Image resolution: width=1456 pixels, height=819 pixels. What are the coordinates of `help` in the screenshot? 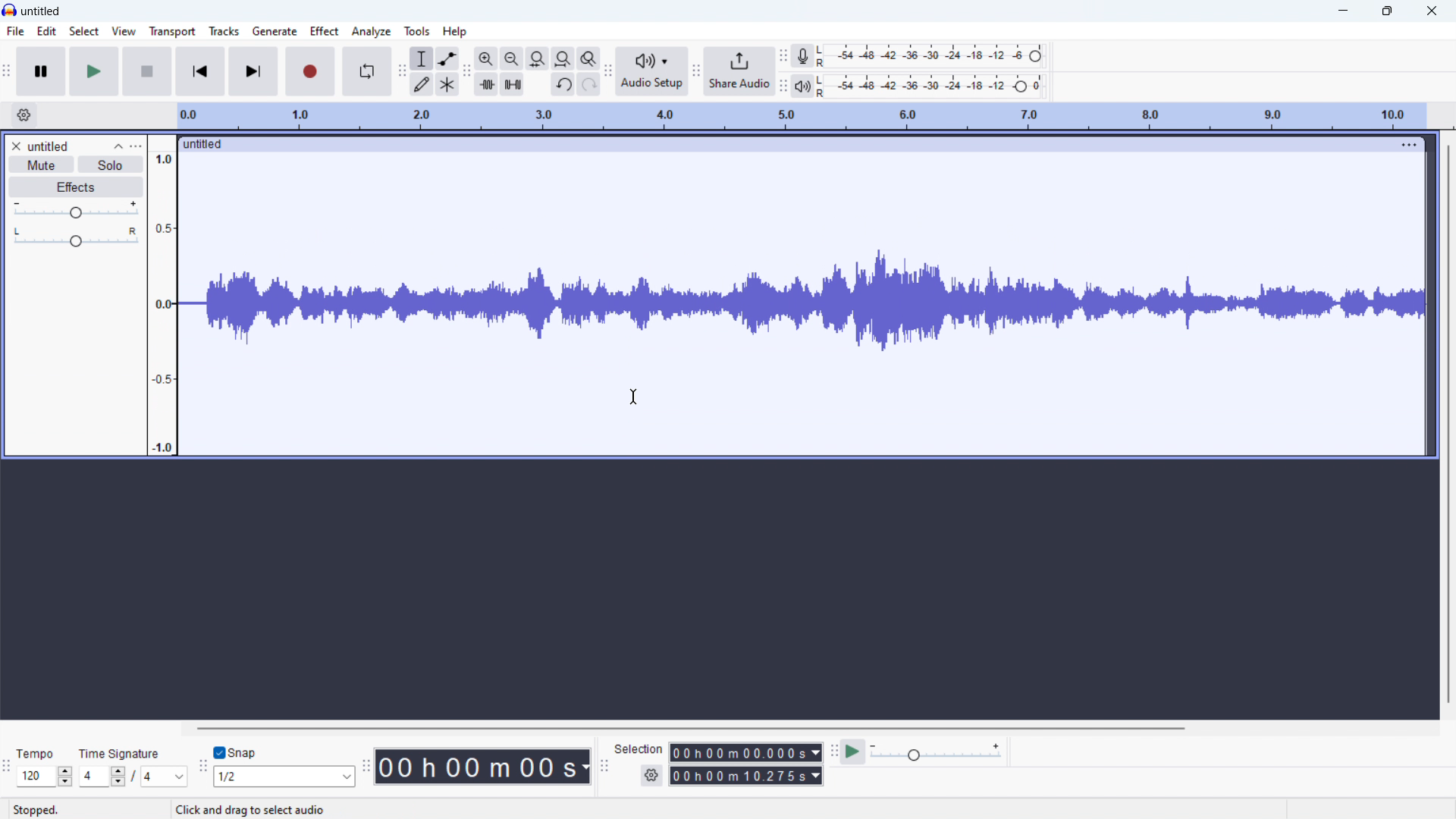 It's located at (456, 32).